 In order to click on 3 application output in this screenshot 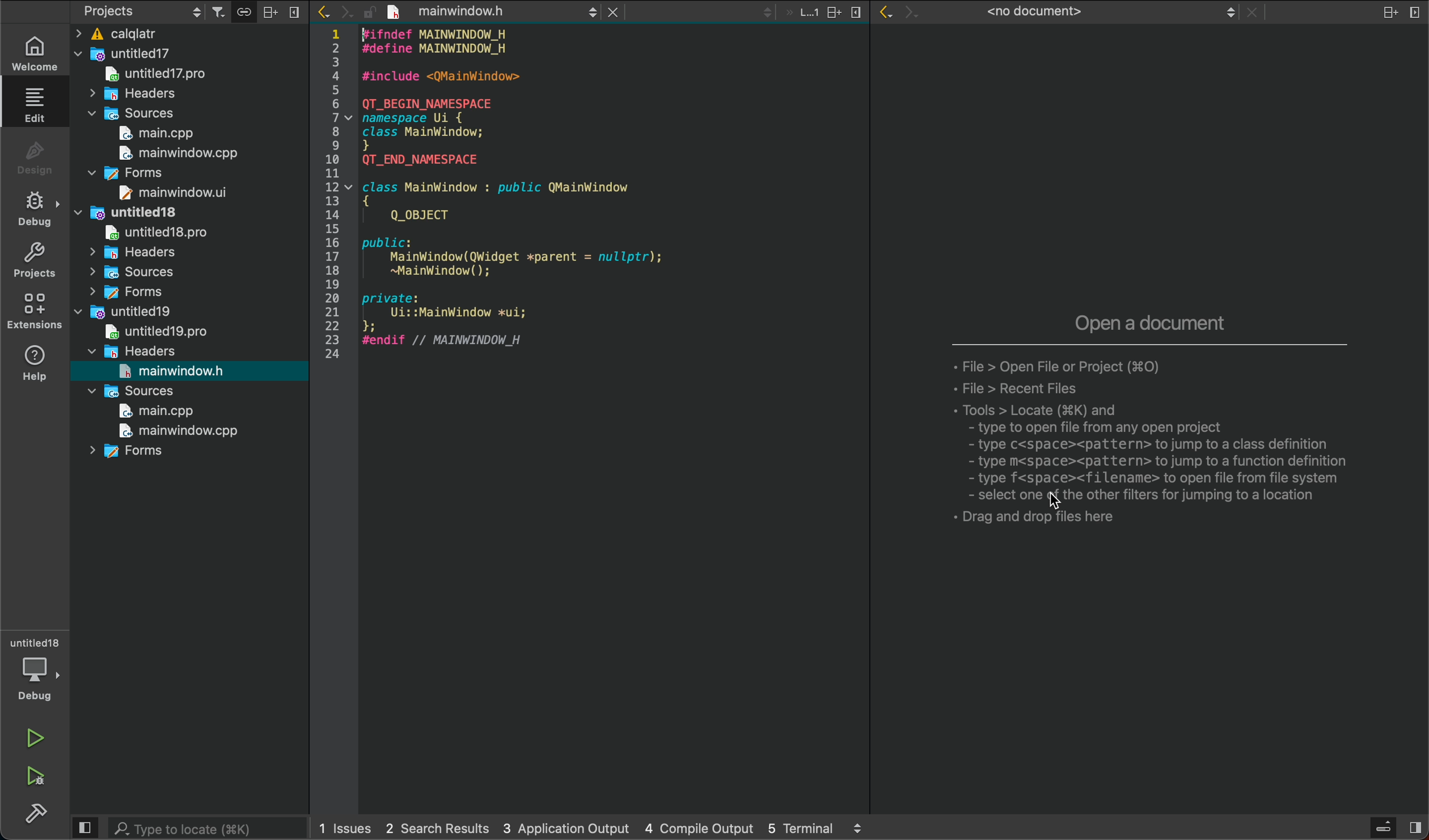, I will do `click(566, 826)`.